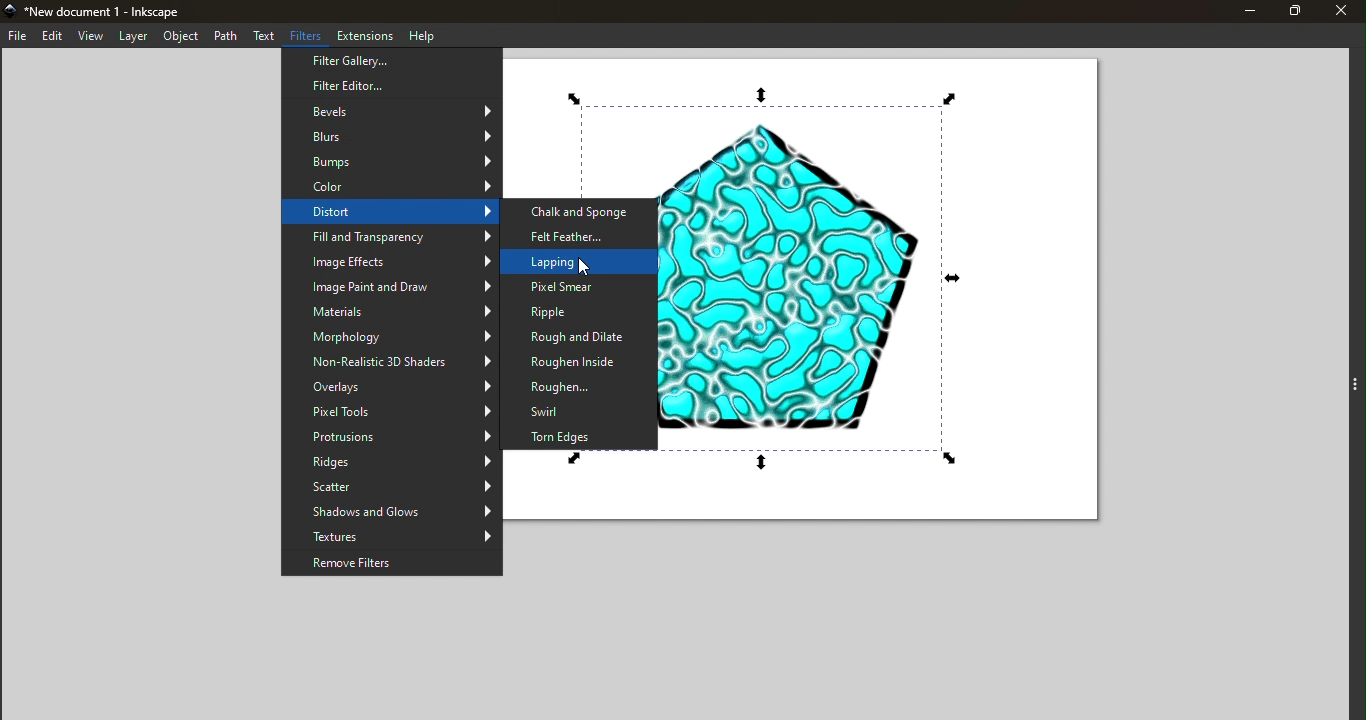 Image resolution: width=1366 pixels, height=720 pixels. What do you see at coordinates (393, 134) in the screenshot?
I see `Blurs` at bounding box center [393, 134].